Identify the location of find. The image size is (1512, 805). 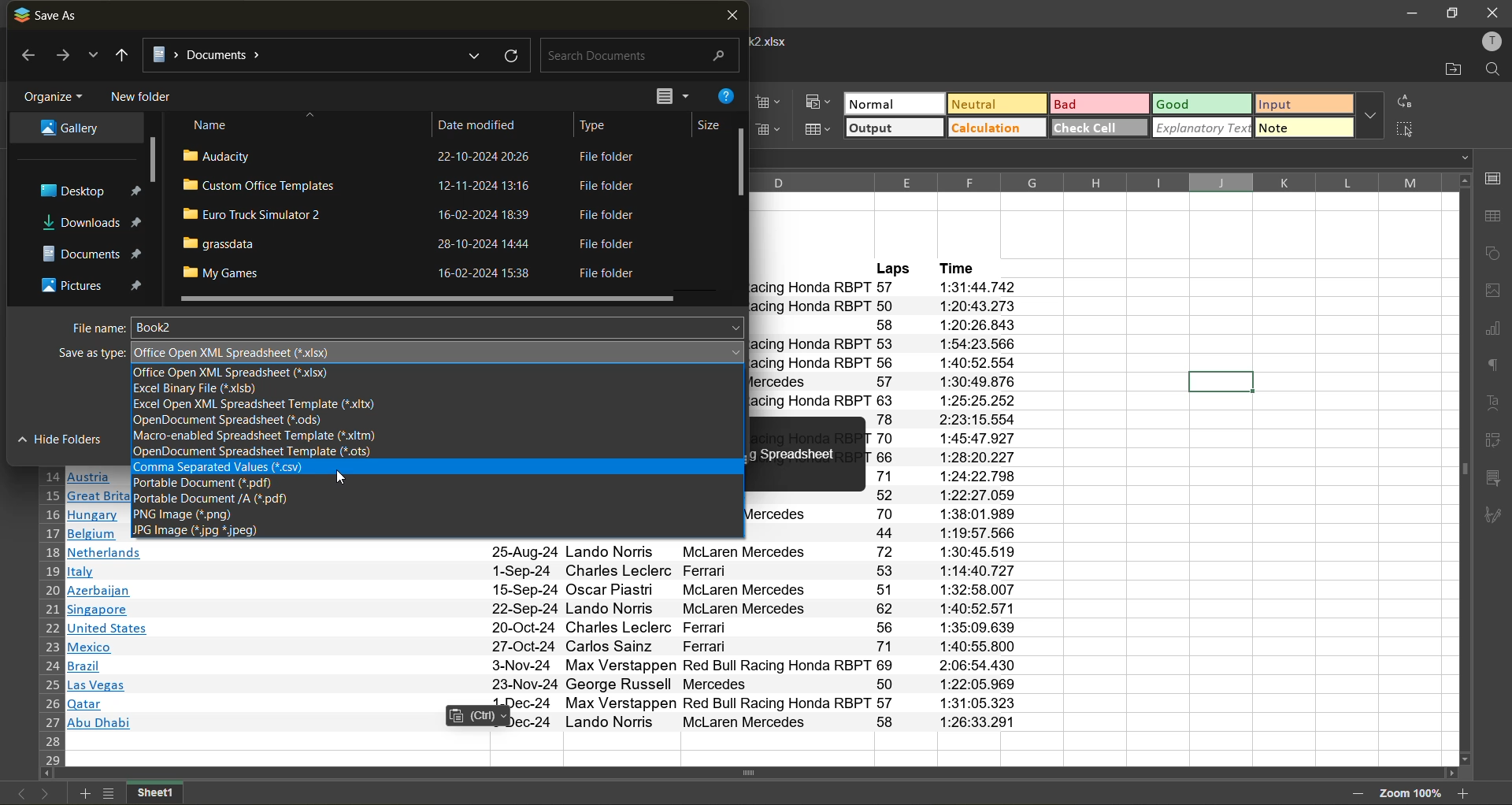
(1494, 70).